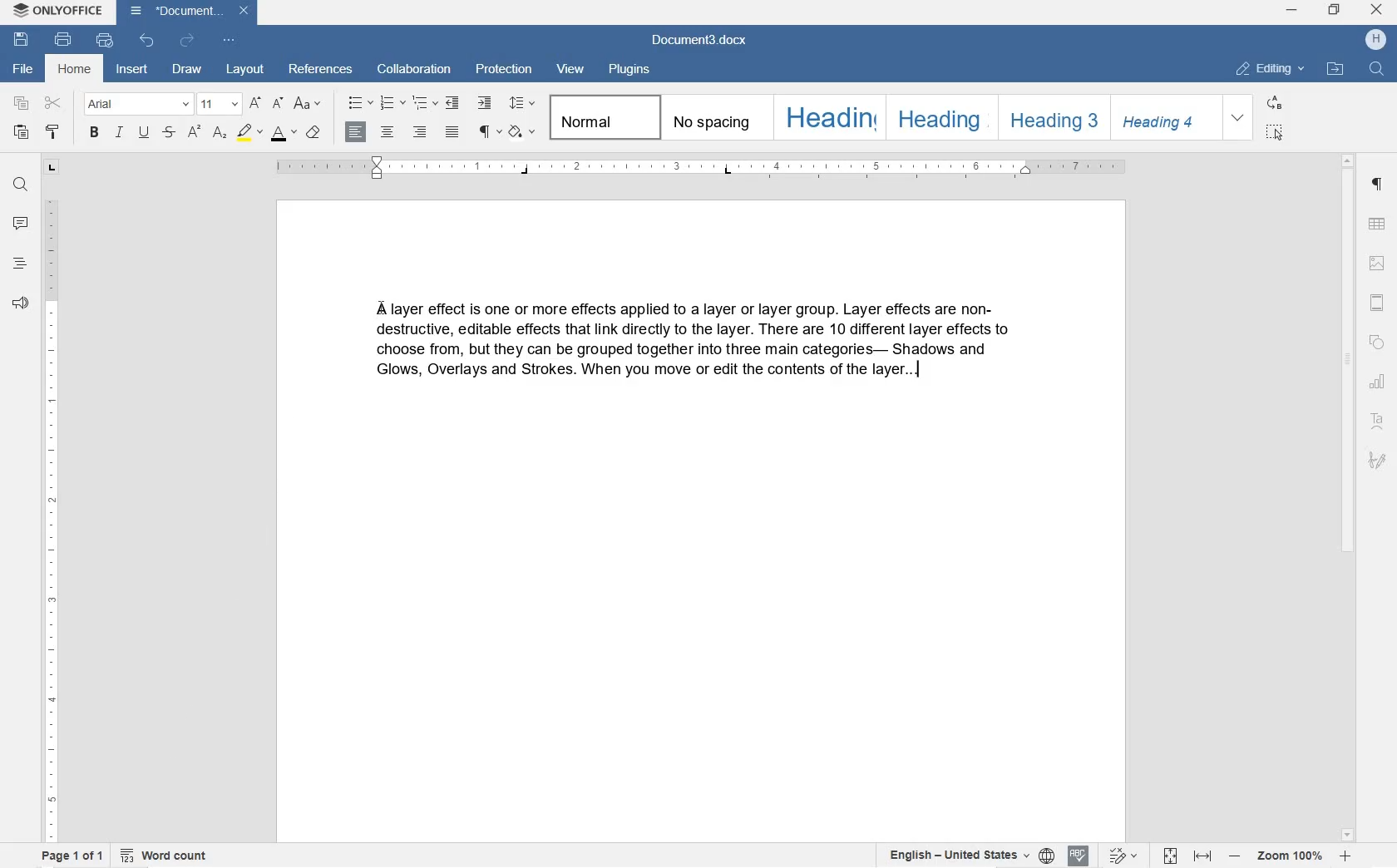 The image size is (1397, 868). I want to click on UNDERLINE, so click(144, 133).